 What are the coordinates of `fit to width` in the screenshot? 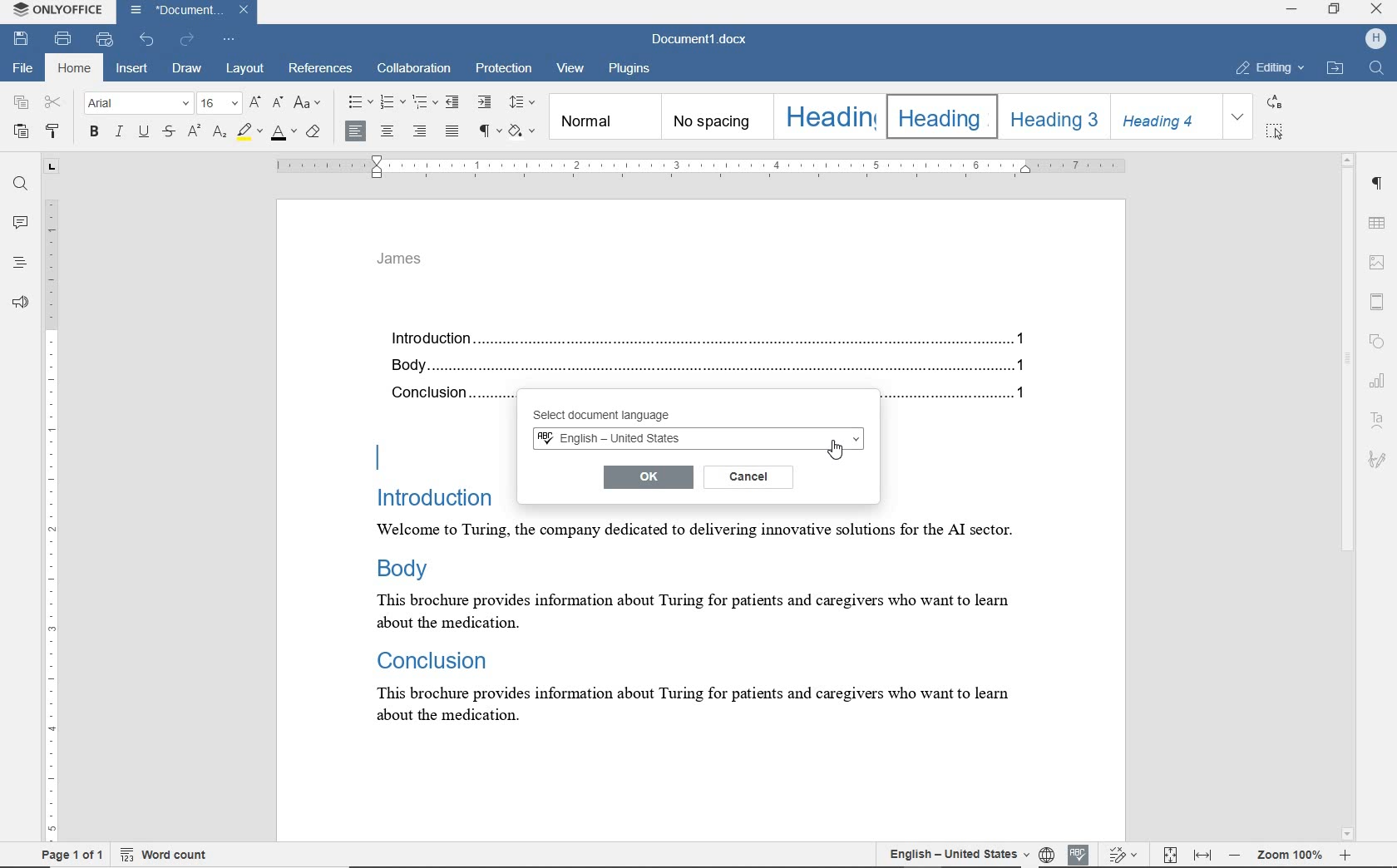 It's located at (1204, 856).